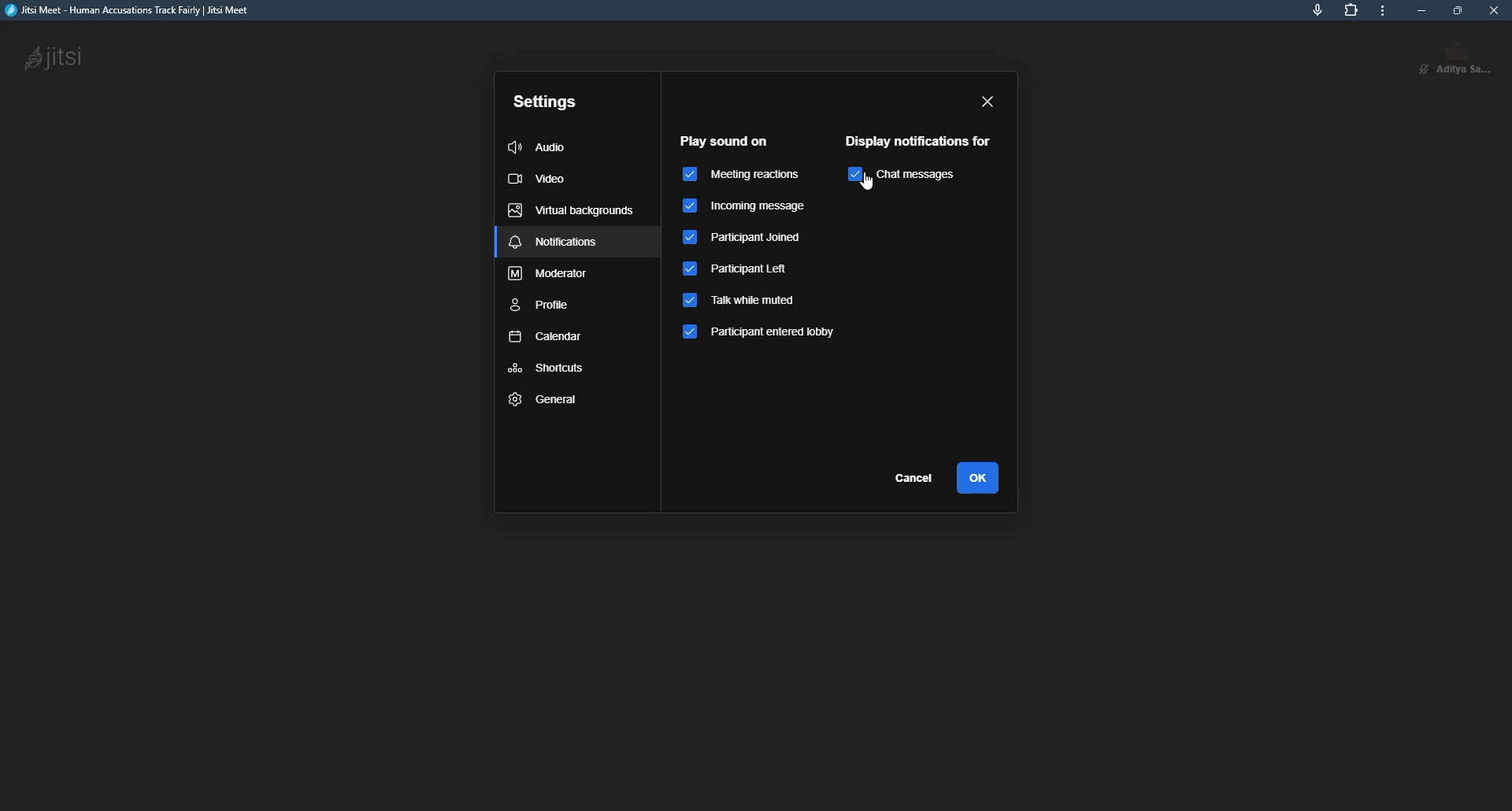 The height and width of the screenshot is (811, 1512). Describe the element at coordinates (543, 306) in the screenshot. I see `profile` at that location.